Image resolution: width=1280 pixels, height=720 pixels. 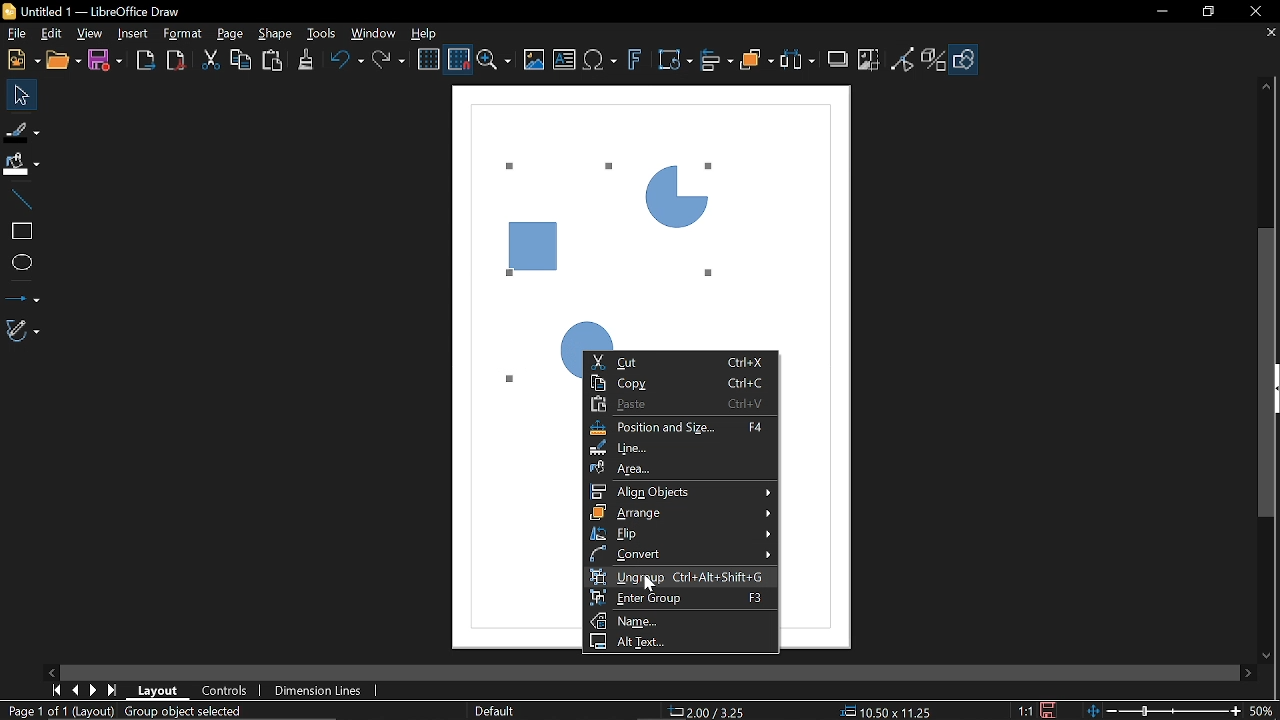 What do you see at coordinates (680, 512) in the screenshot?
I see `Arrange` at bounding box center [680, 512].